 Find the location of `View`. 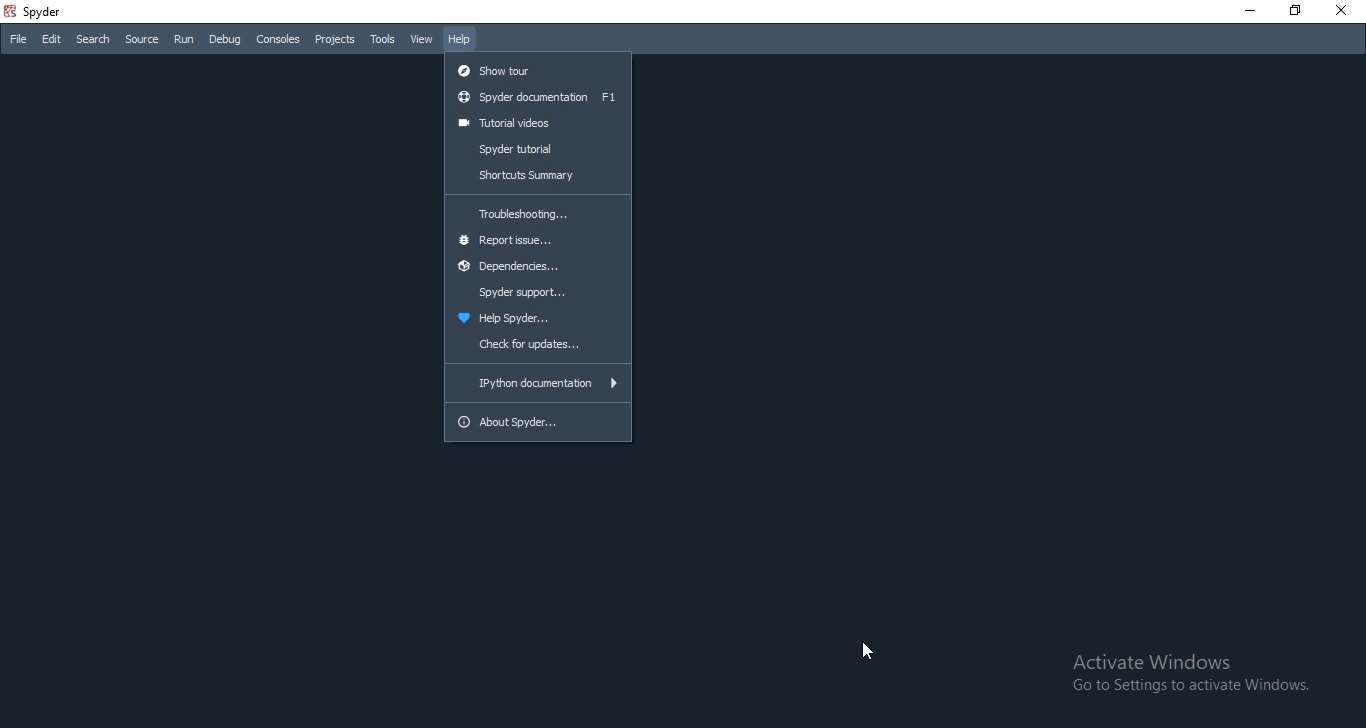

View is located at coordinates (423, 37).